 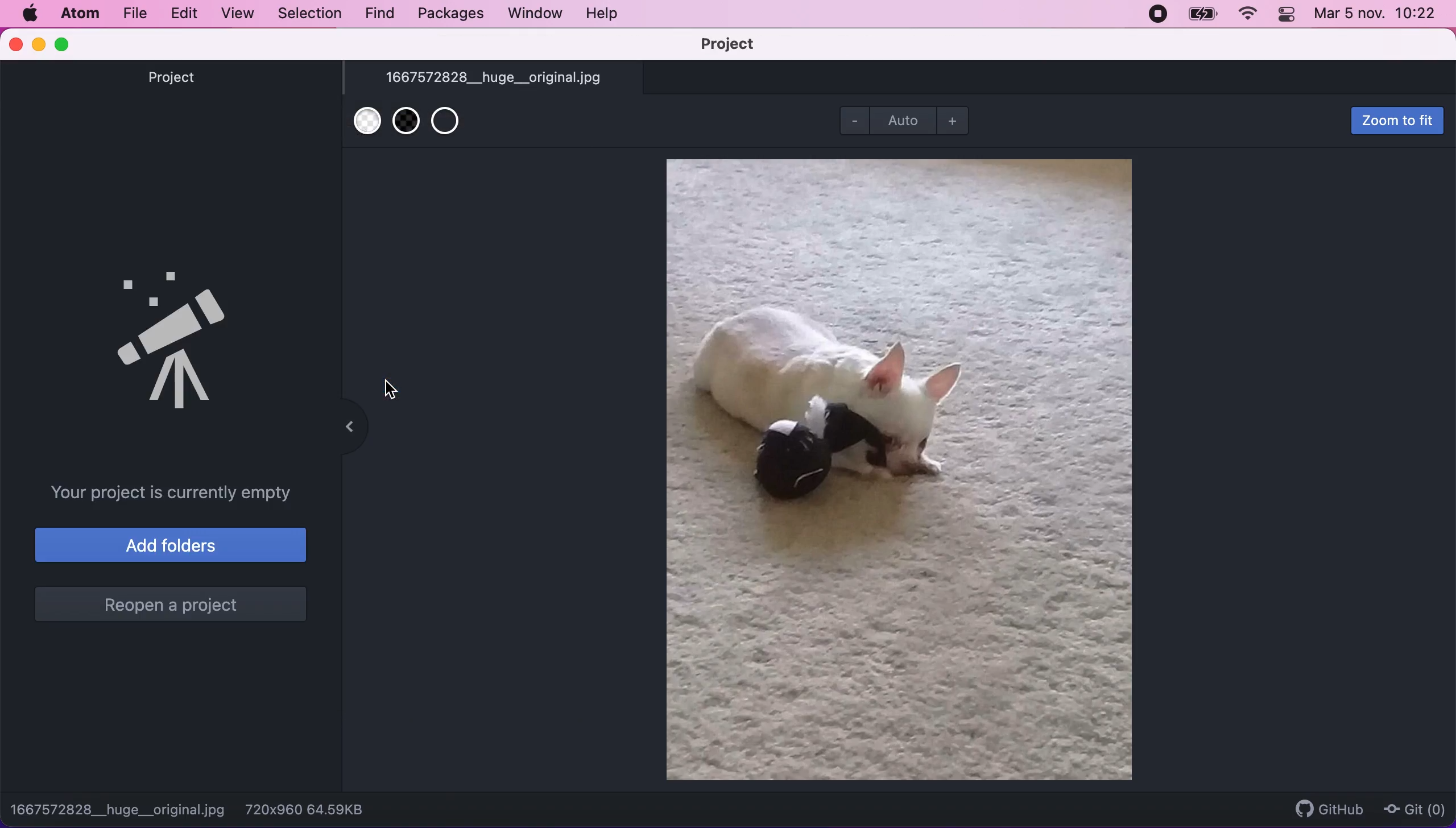 What do you see at coordinates (29, 13) in the screenshot?
I see `mac logo` at bounding box center [29, 13].